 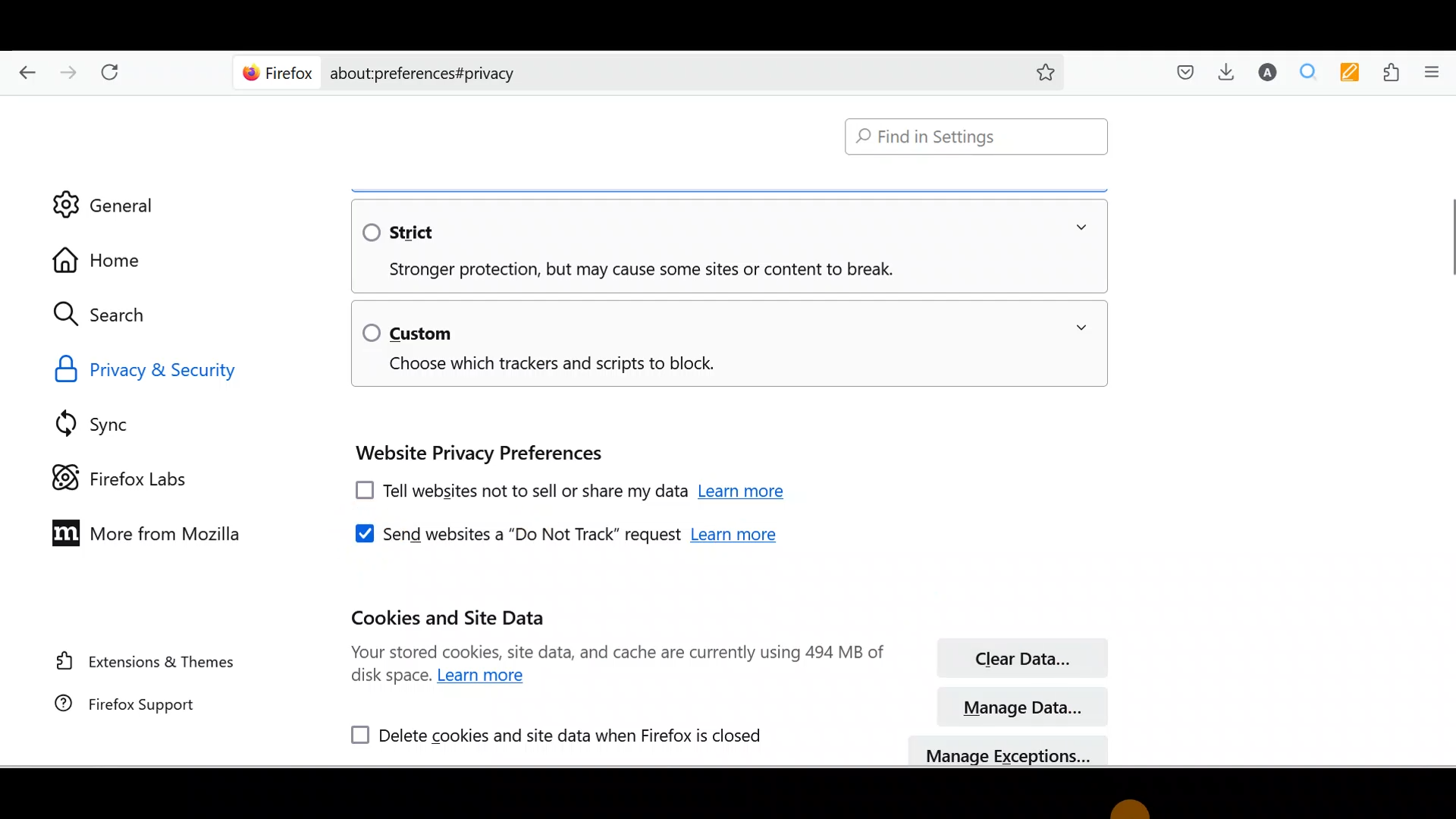 I want to click on Go back one page, so click(x=24, y=68).